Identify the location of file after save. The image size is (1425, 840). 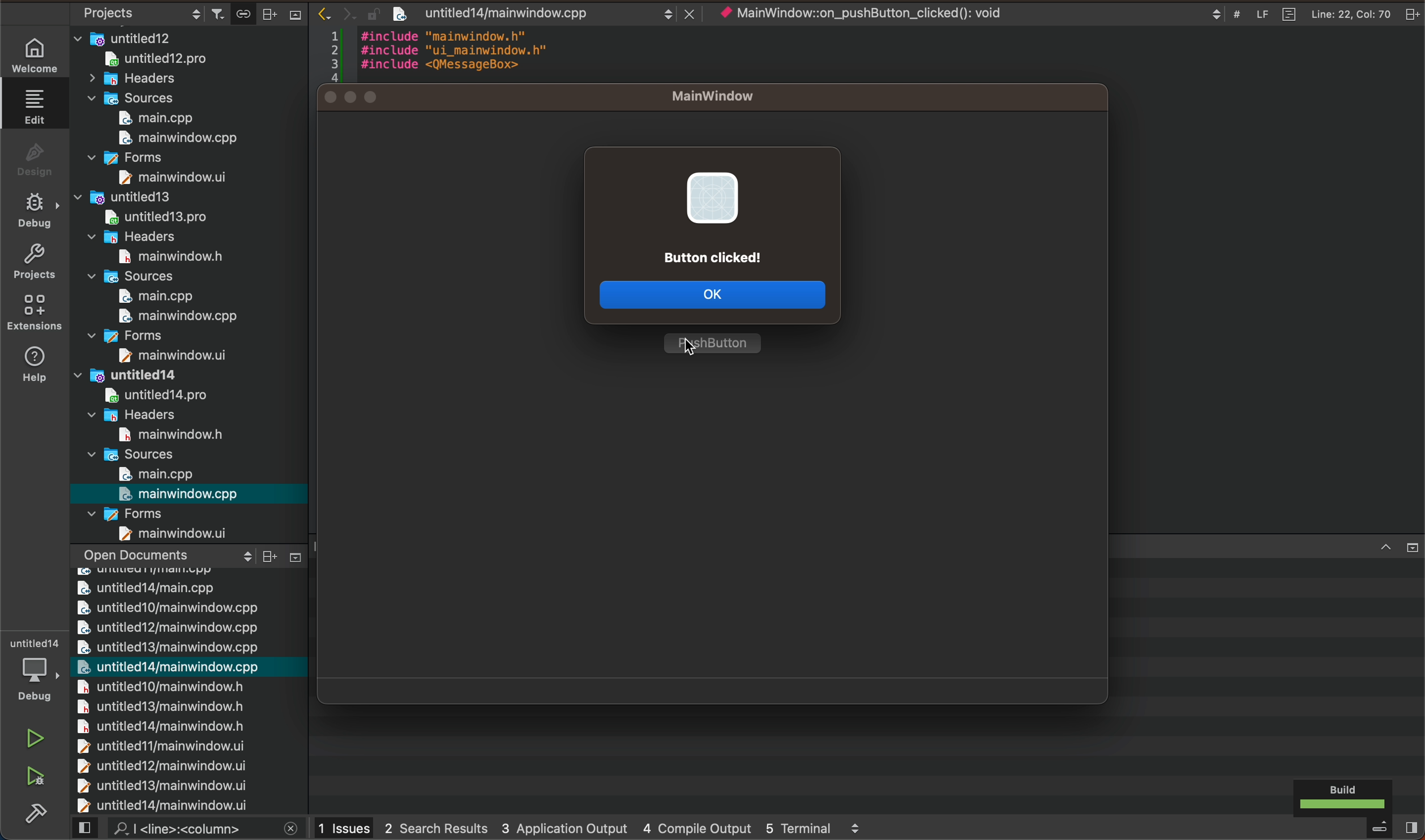
(545, 13).